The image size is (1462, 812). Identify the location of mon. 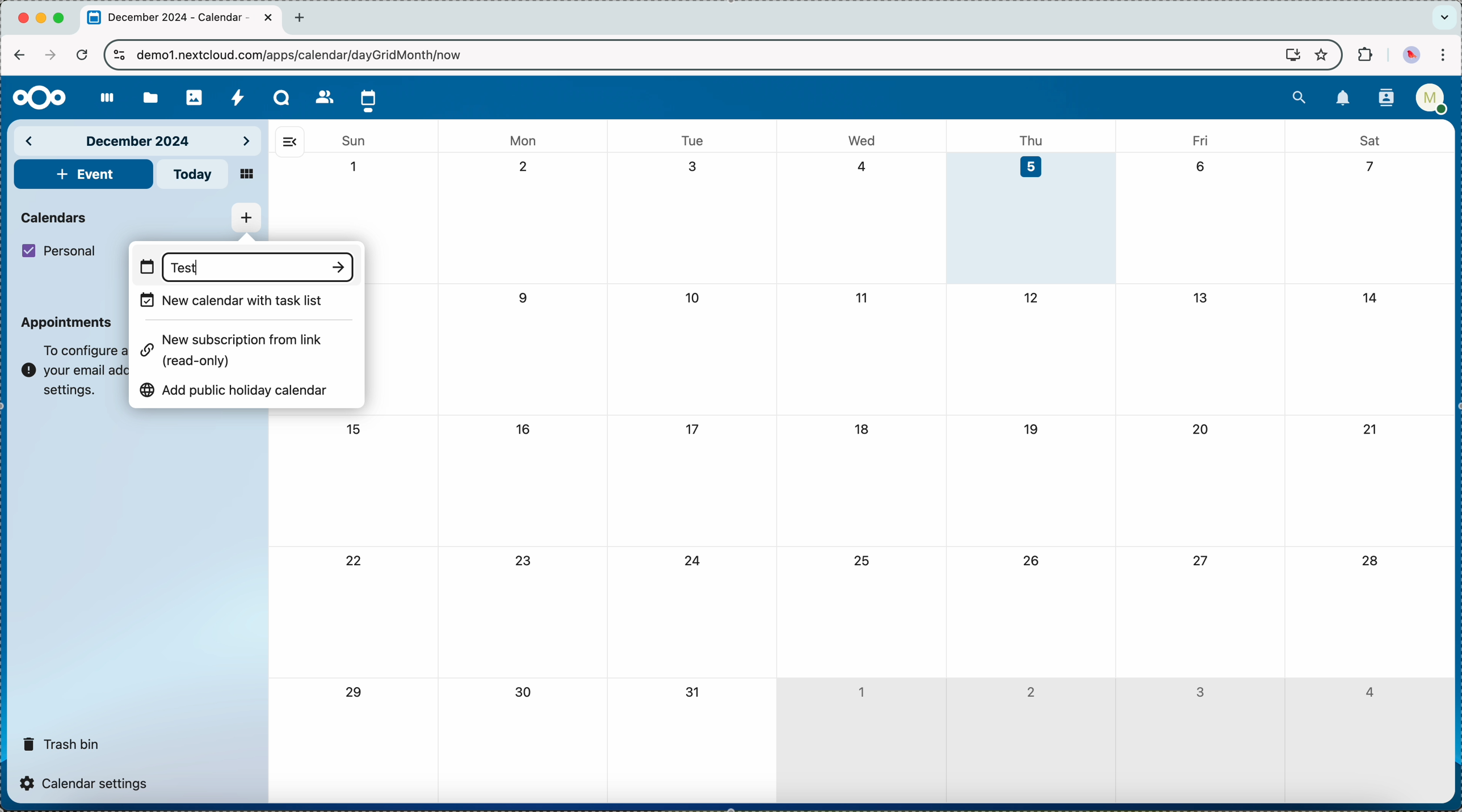
(524, 137).